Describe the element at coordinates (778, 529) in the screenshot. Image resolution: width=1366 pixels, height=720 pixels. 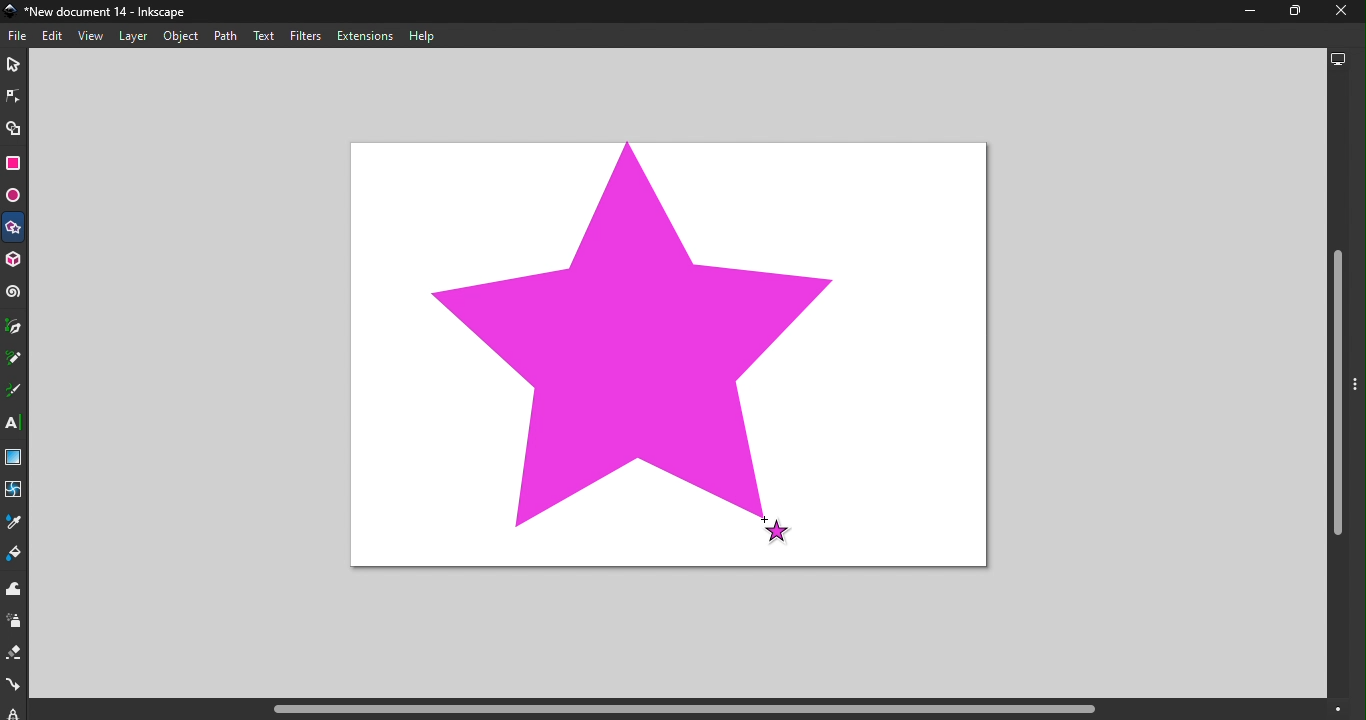
I see `Cursor` at that location.